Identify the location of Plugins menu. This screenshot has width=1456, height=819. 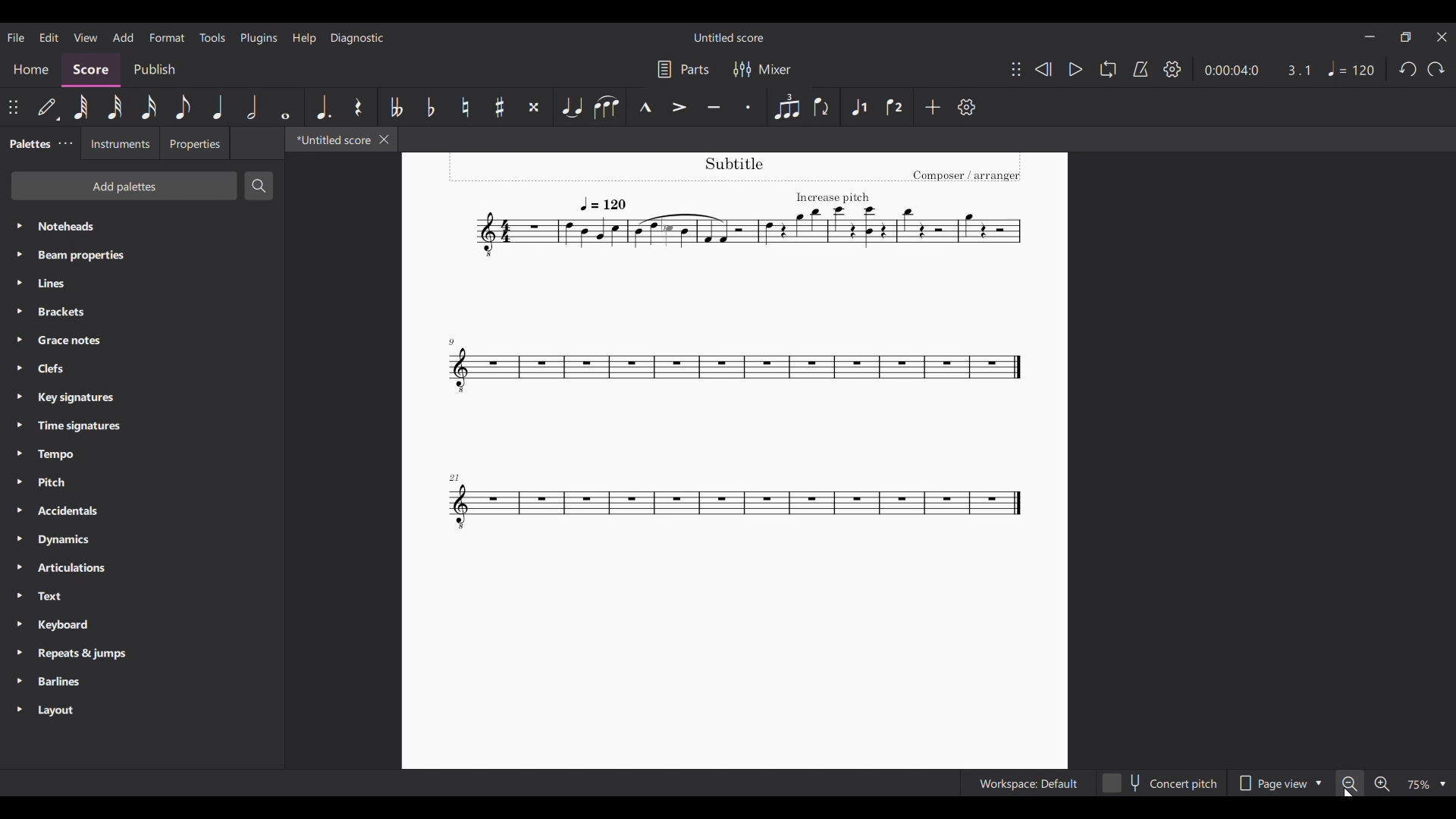
(259, 39).